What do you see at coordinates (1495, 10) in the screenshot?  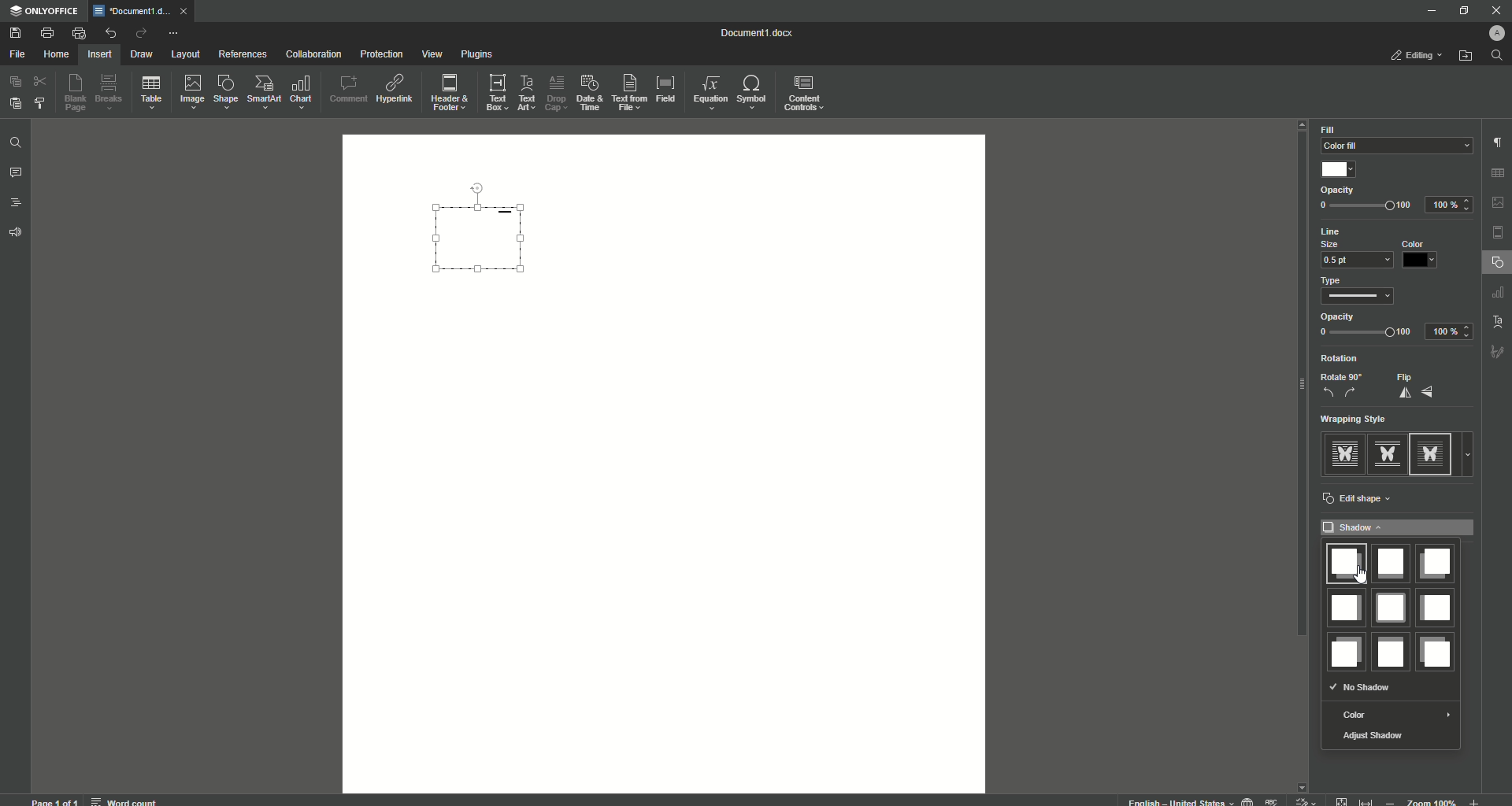 I see `Close` at bounding box center [1495, 10].